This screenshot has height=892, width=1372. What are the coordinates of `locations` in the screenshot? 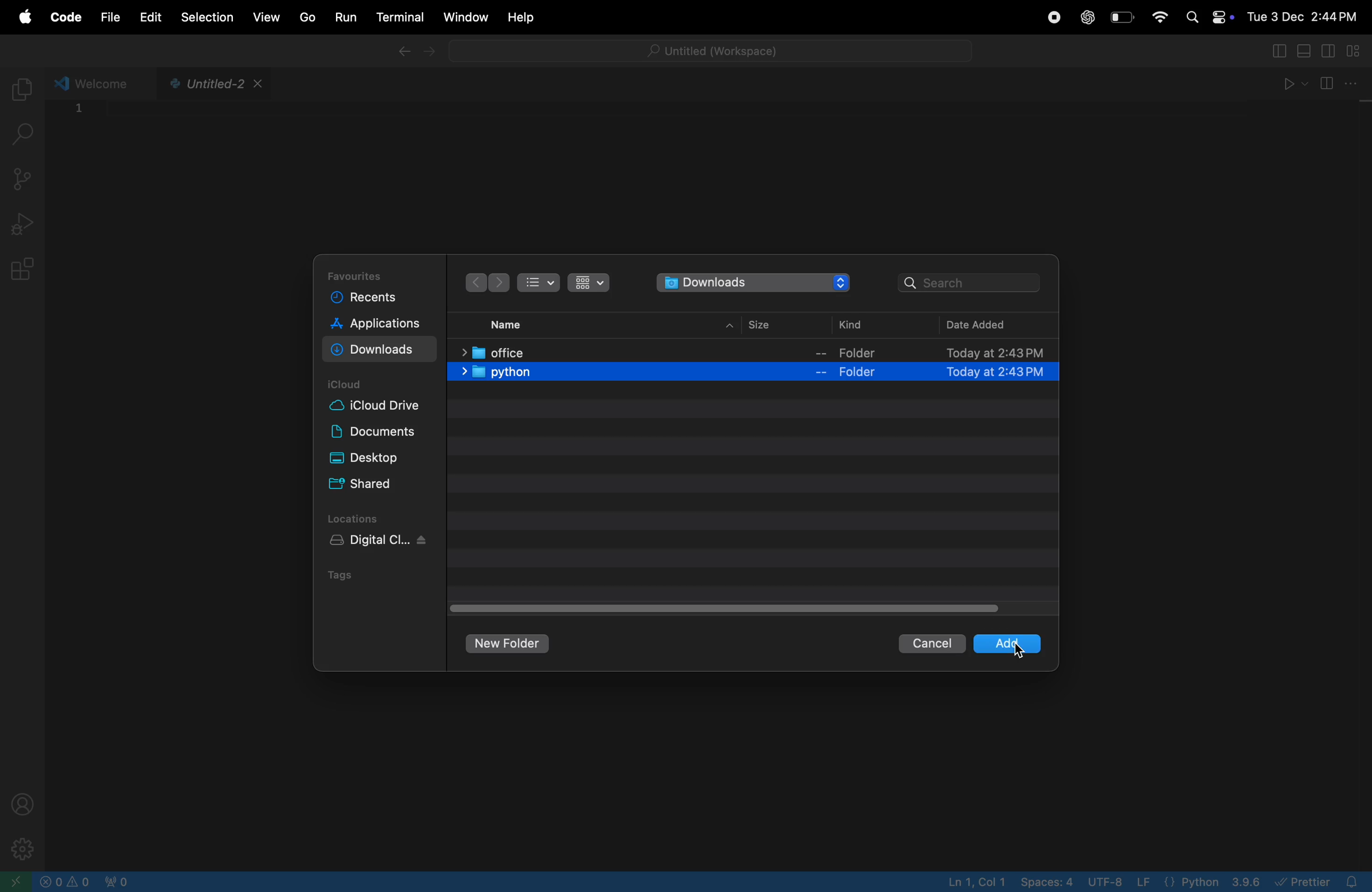 It's located at (363, 520).